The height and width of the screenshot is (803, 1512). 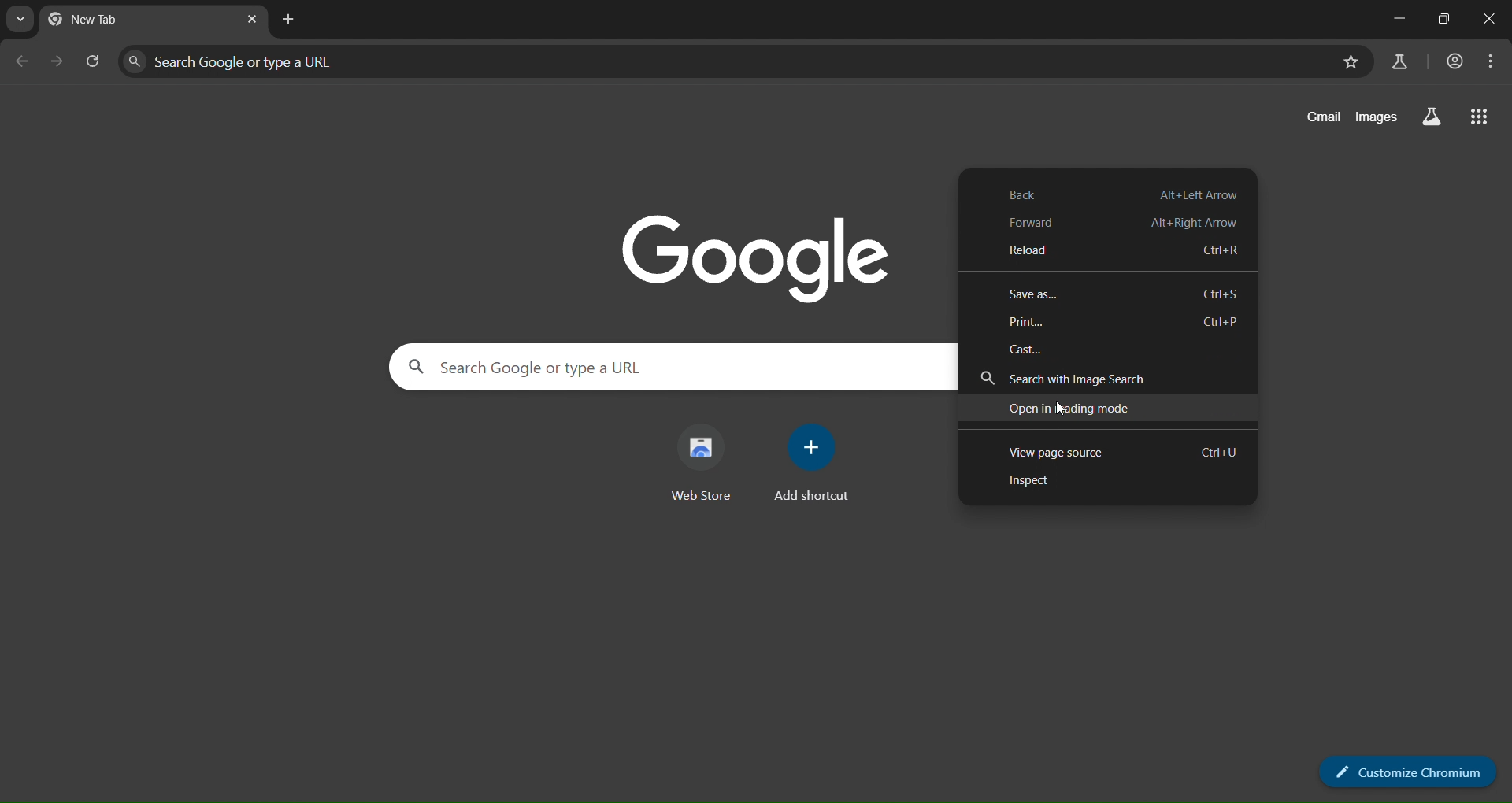 What do you see at coordinates (1317, 118) in the screenshot?
I see `gmail` at bounding box center [1317, 118].